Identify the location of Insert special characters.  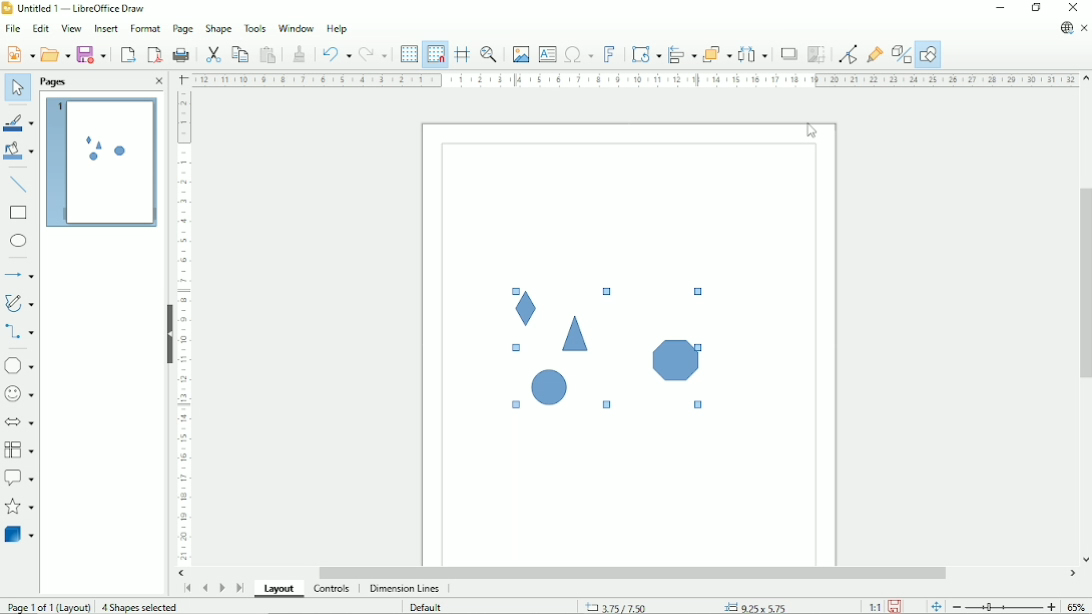
(578, 55).